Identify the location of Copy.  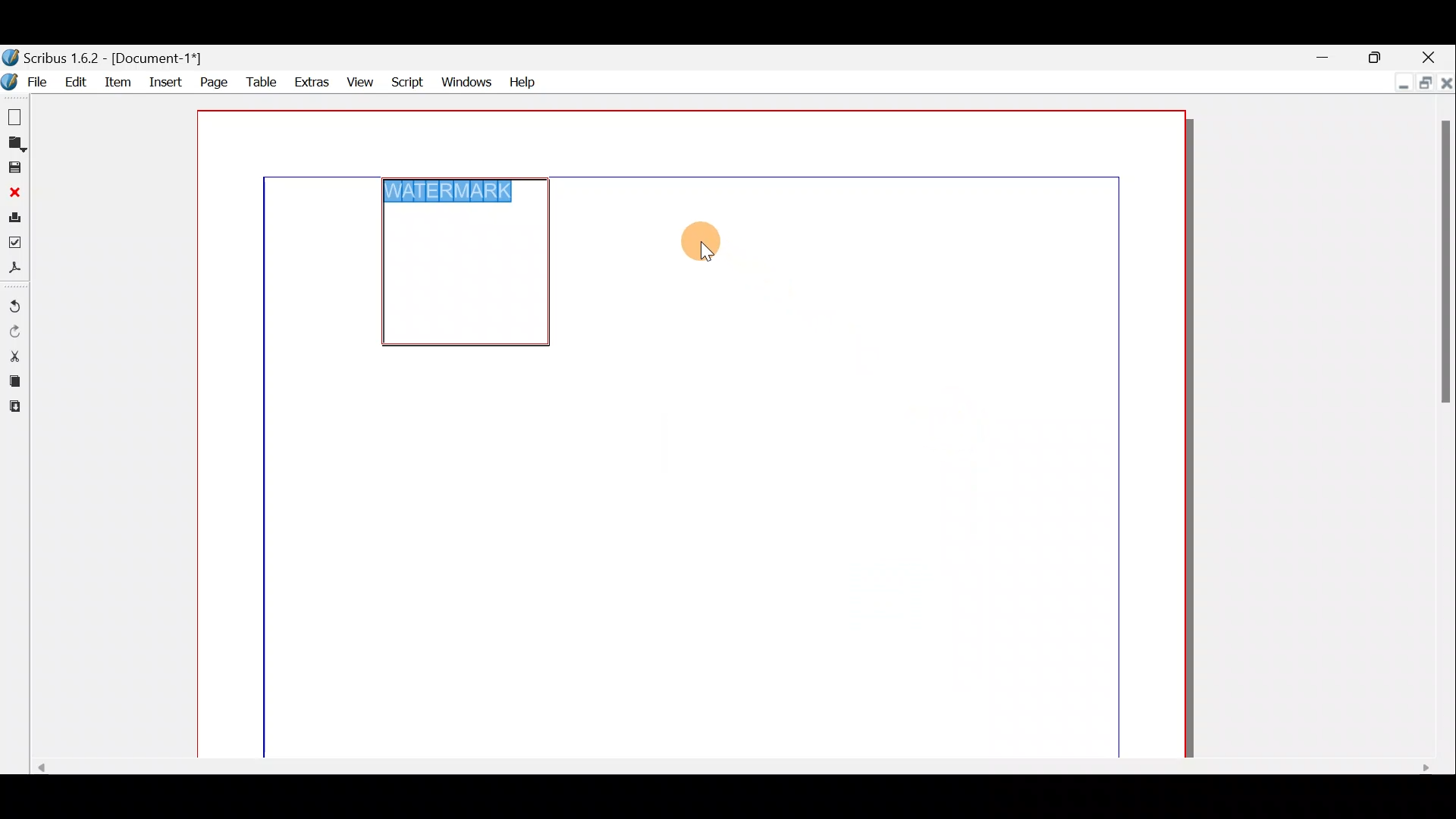
(12, 383).